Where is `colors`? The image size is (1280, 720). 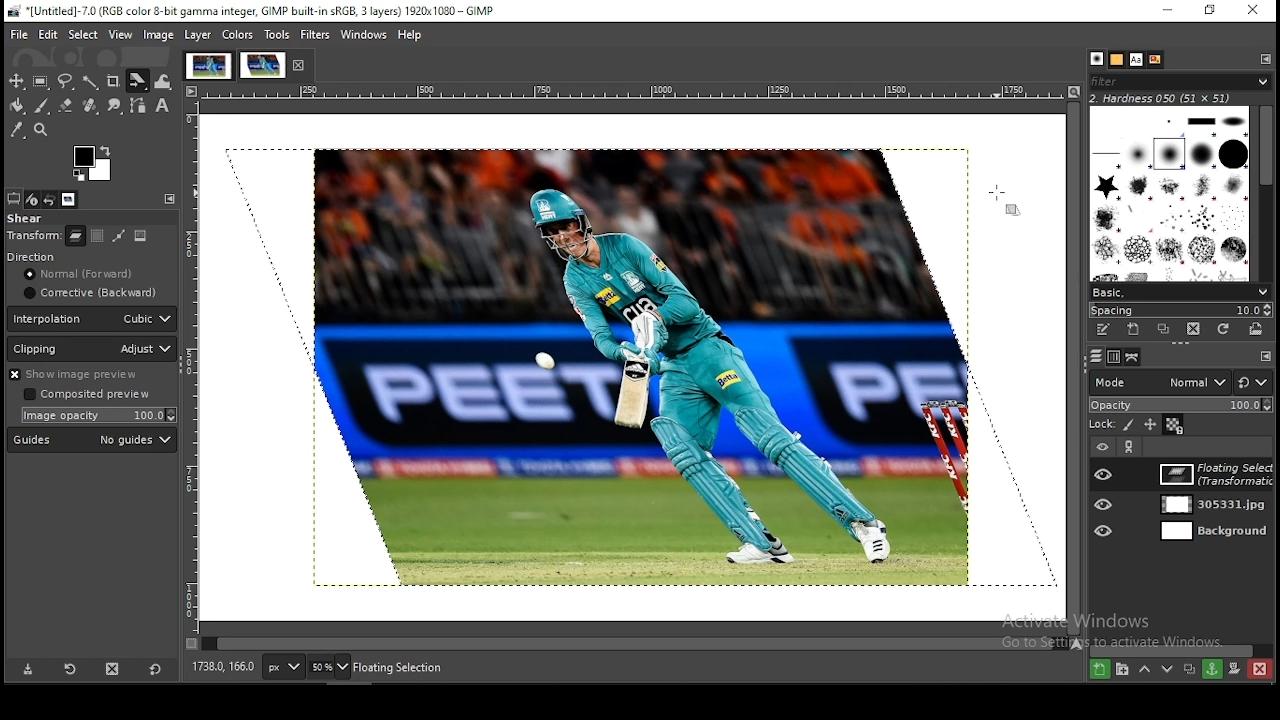 colors is located at coordinates (93, 161).